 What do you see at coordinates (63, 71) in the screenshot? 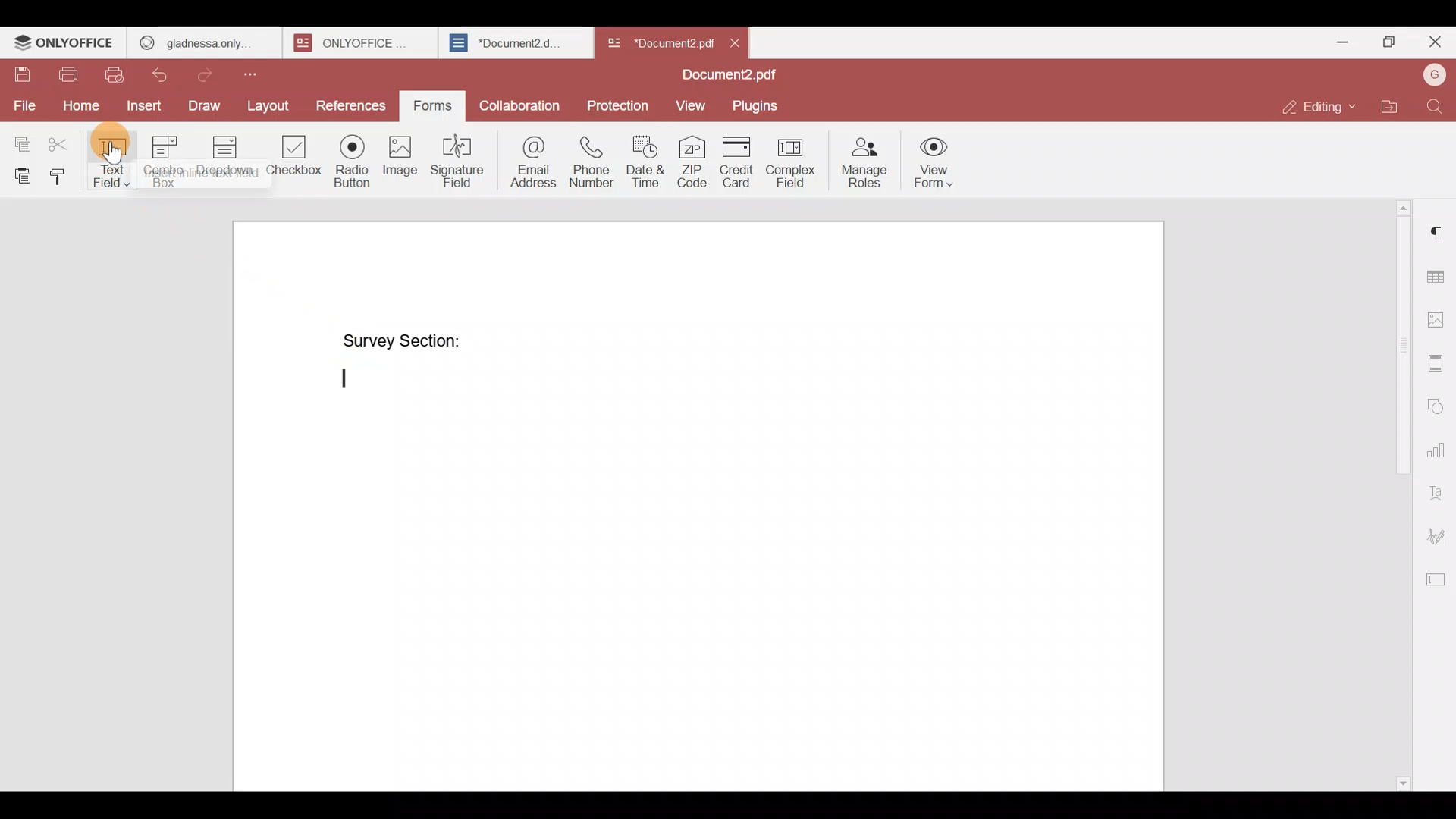
I see `Print file` at bounding box center [63, 71].